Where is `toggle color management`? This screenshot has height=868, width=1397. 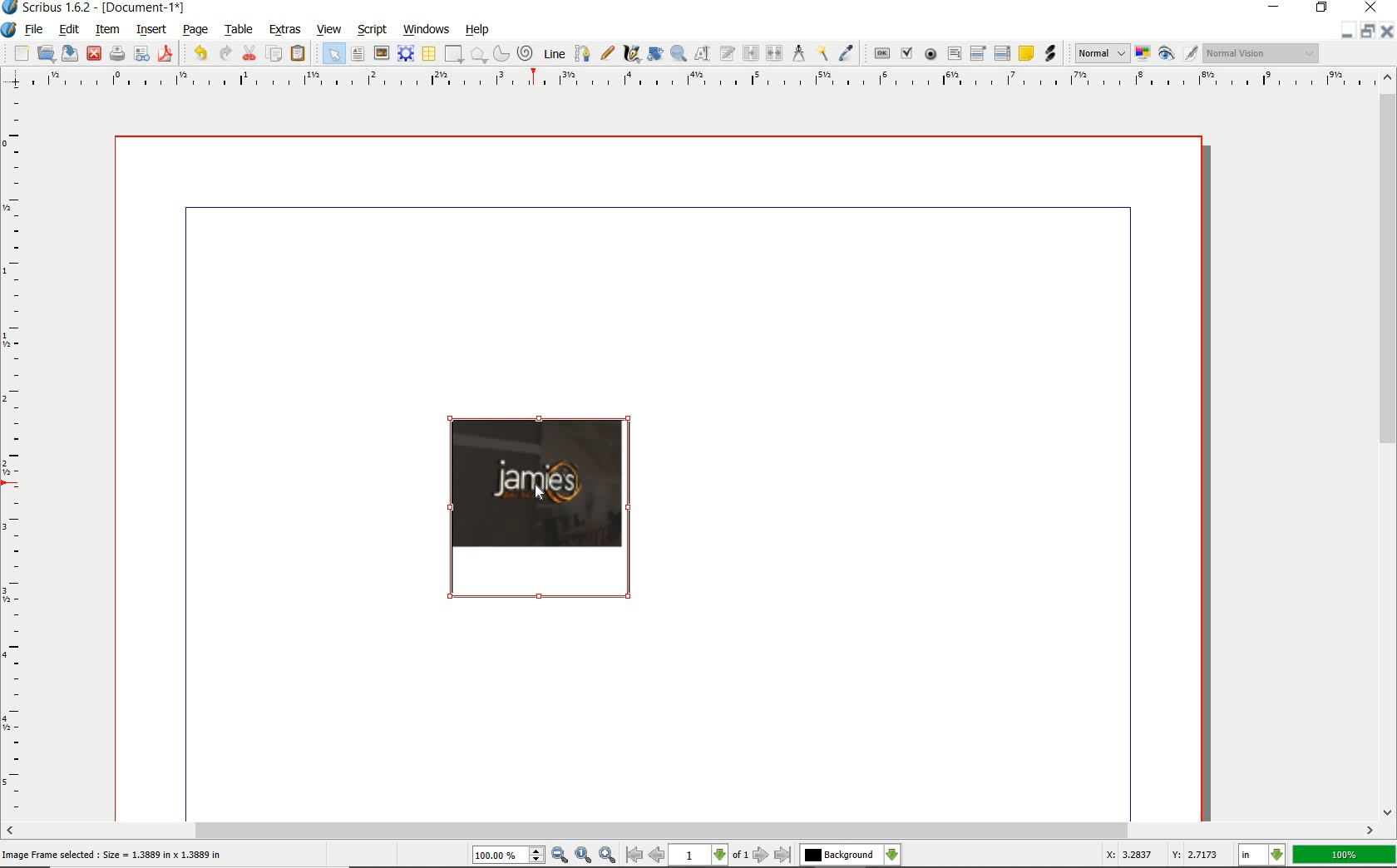
toggle color management is located at coordinates (1143, 53).